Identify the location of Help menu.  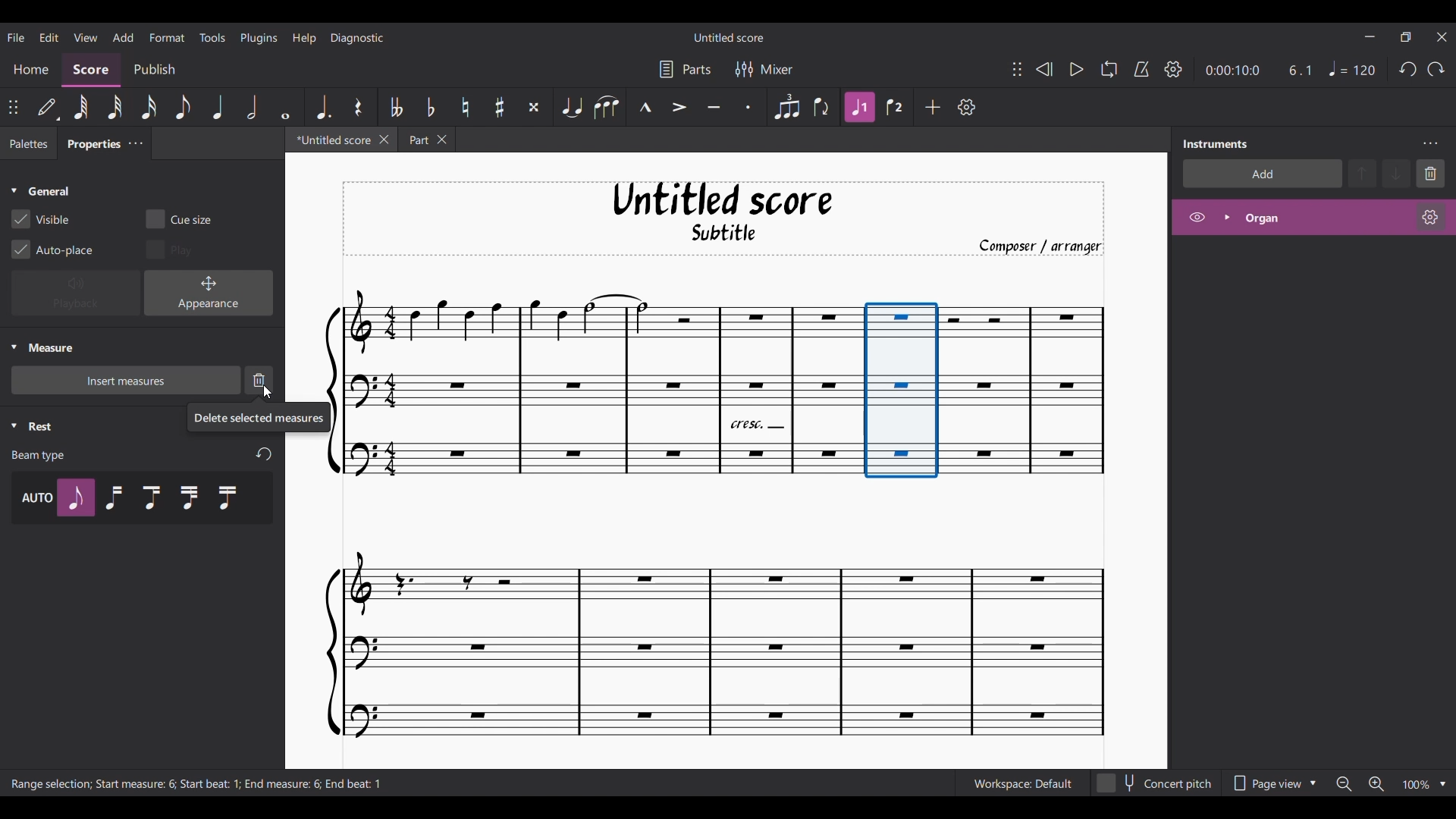
(303, 38).